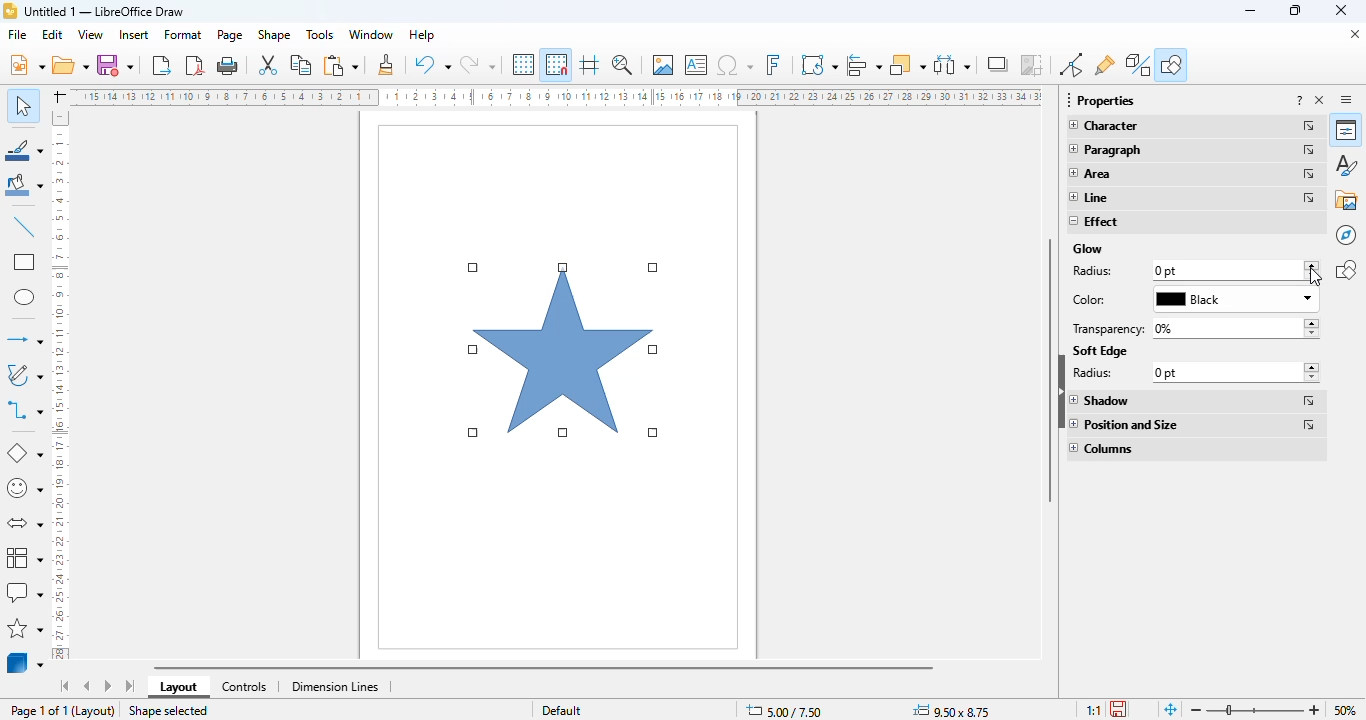  What do you see at coordinates (623, 65) in the screenshot?
I see `zoom & pan` at bounding box center [623, 65].